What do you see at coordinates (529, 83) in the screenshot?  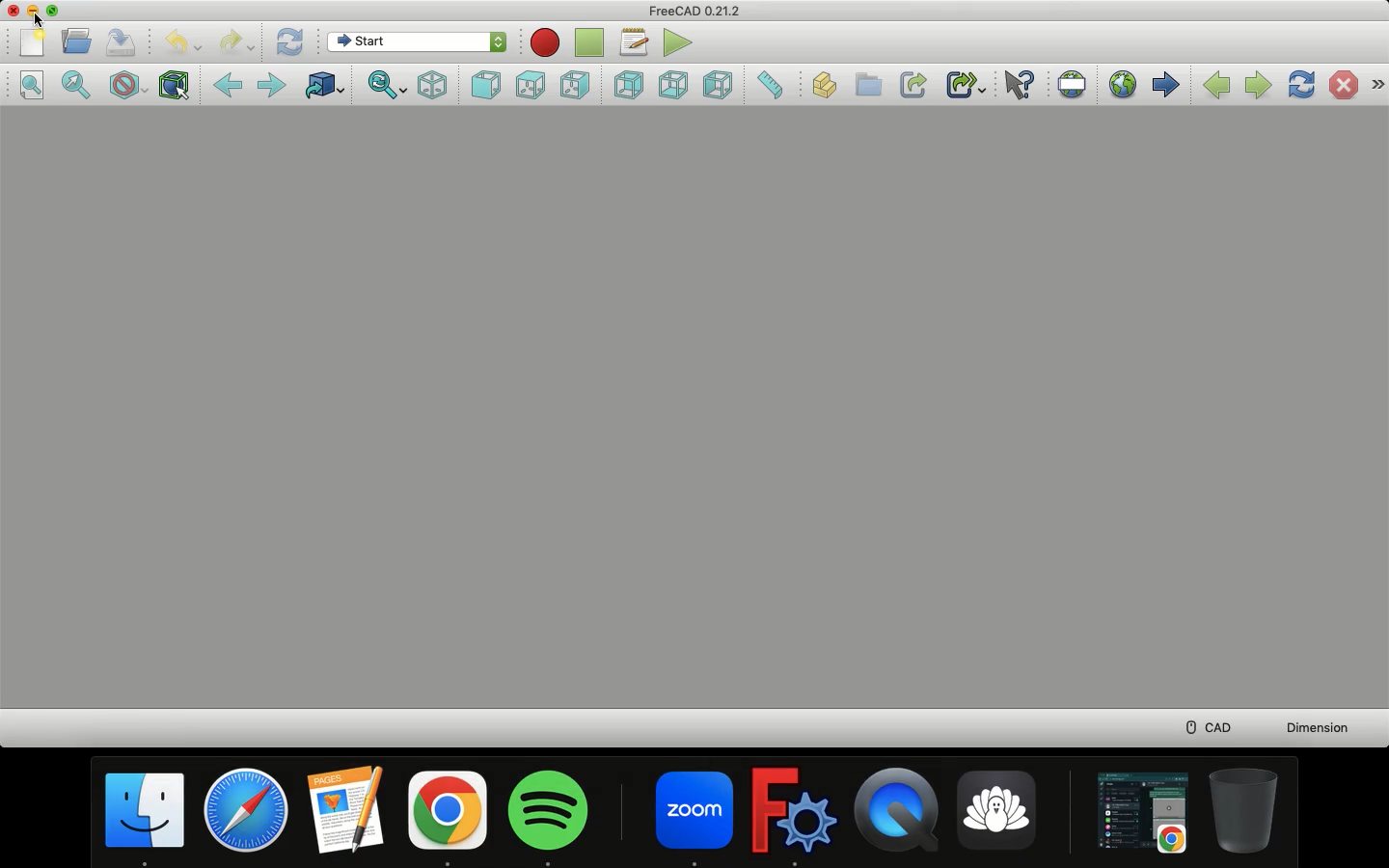 I see `Top` at bounding box center [529, 83].